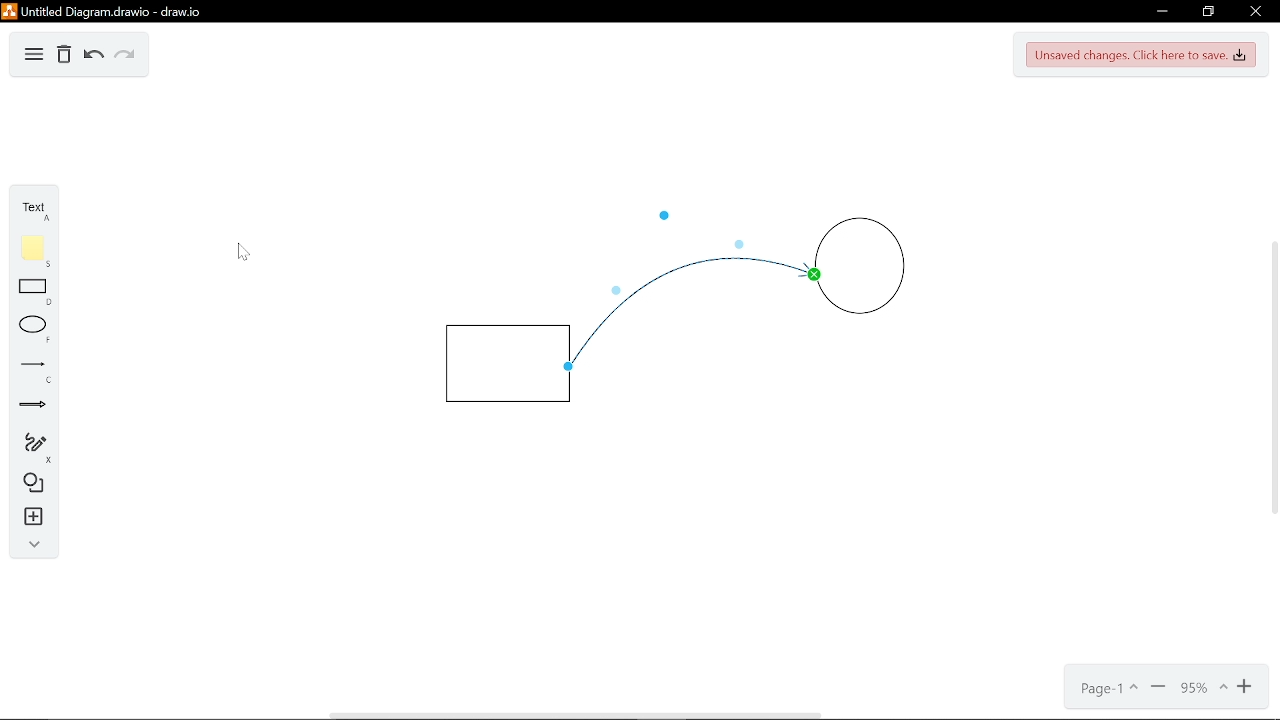 The height and width of the screenshot is (720, 1280). What do you see at coordinates (34, 56) in the screenshot?
I see `Diagram` at bounding box center [34, 56].